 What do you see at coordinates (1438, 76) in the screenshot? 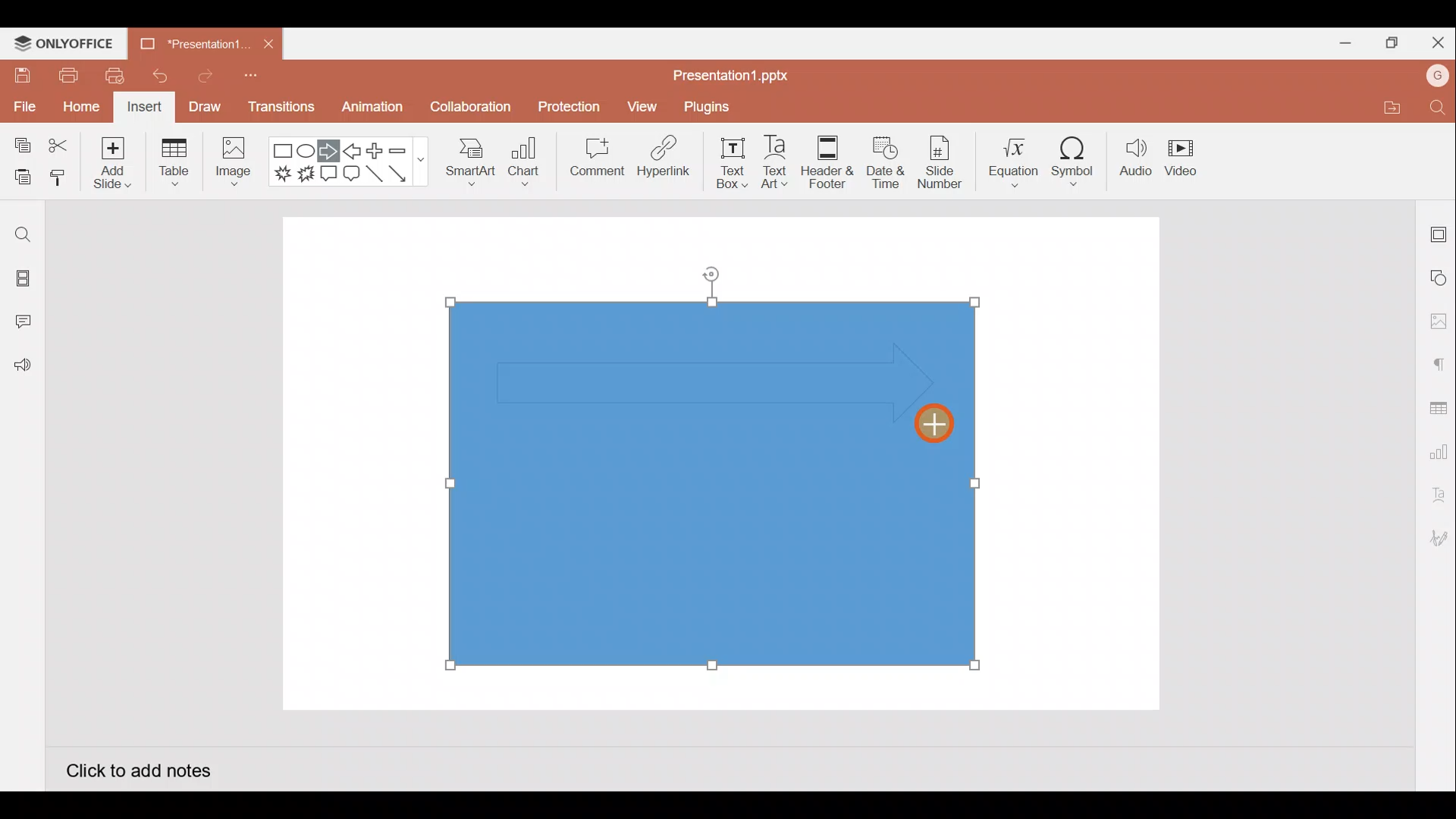
I see `Account name` at bounding box center [1438, 76].